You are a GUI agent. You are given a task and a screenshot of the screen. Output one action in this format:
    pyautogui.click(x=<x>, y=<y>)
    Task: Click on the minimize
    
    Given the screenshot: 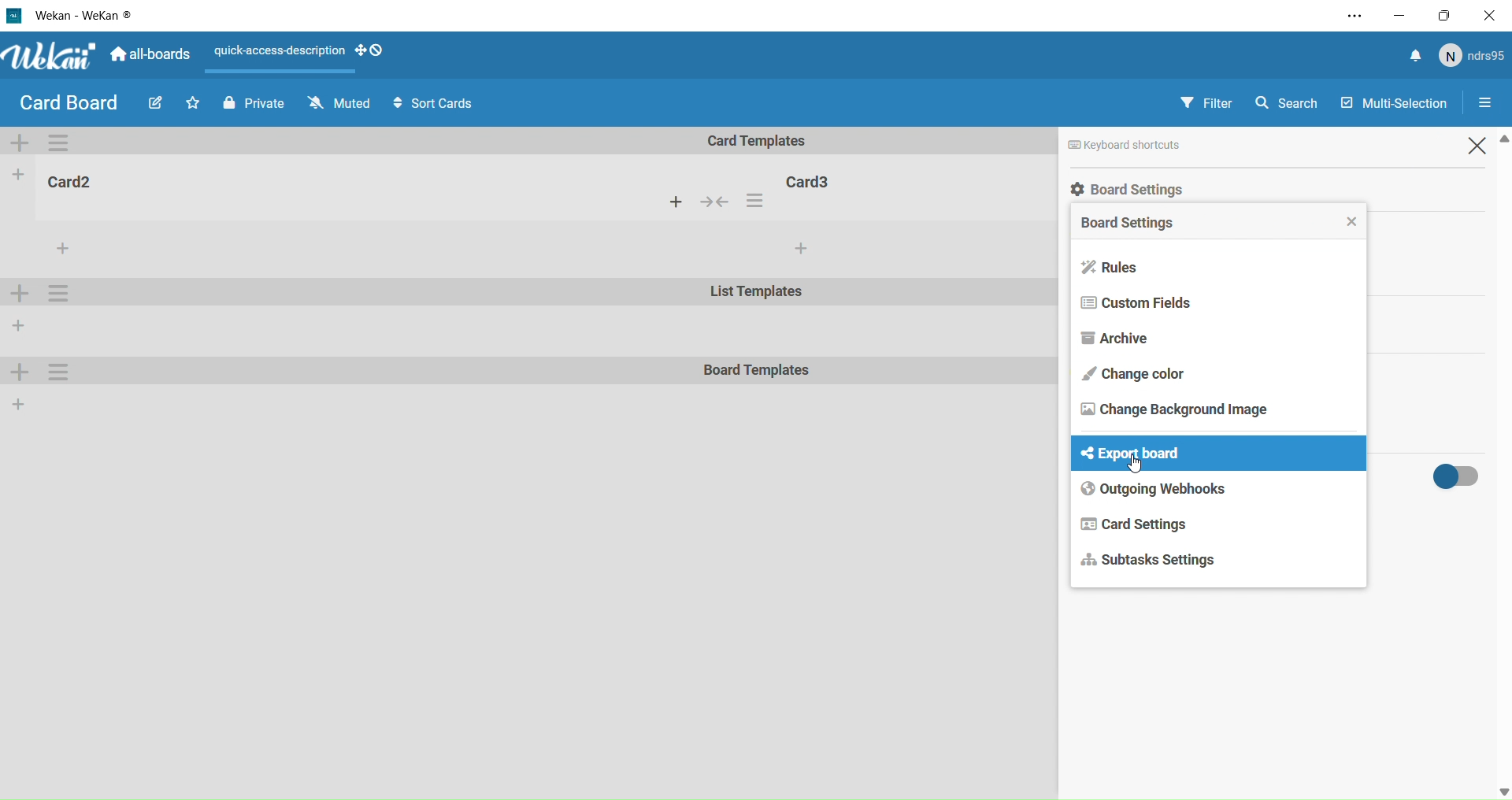 What is the action you would take?
    pyautogui.click(x=1399, y=14)
    